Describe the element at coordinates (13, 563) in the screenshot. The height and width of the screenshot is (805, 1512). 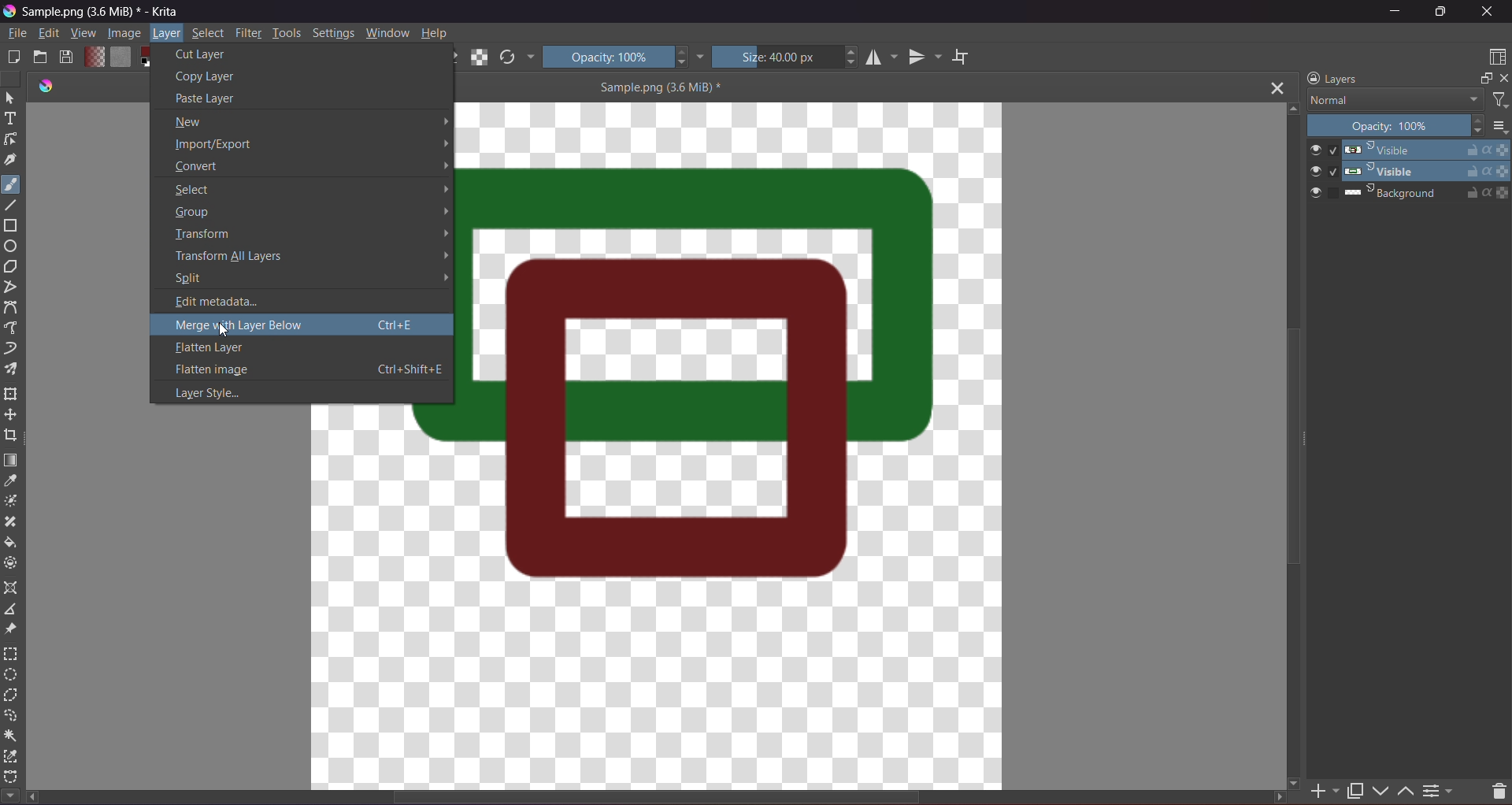
I see `Enclose and fill` at that location.